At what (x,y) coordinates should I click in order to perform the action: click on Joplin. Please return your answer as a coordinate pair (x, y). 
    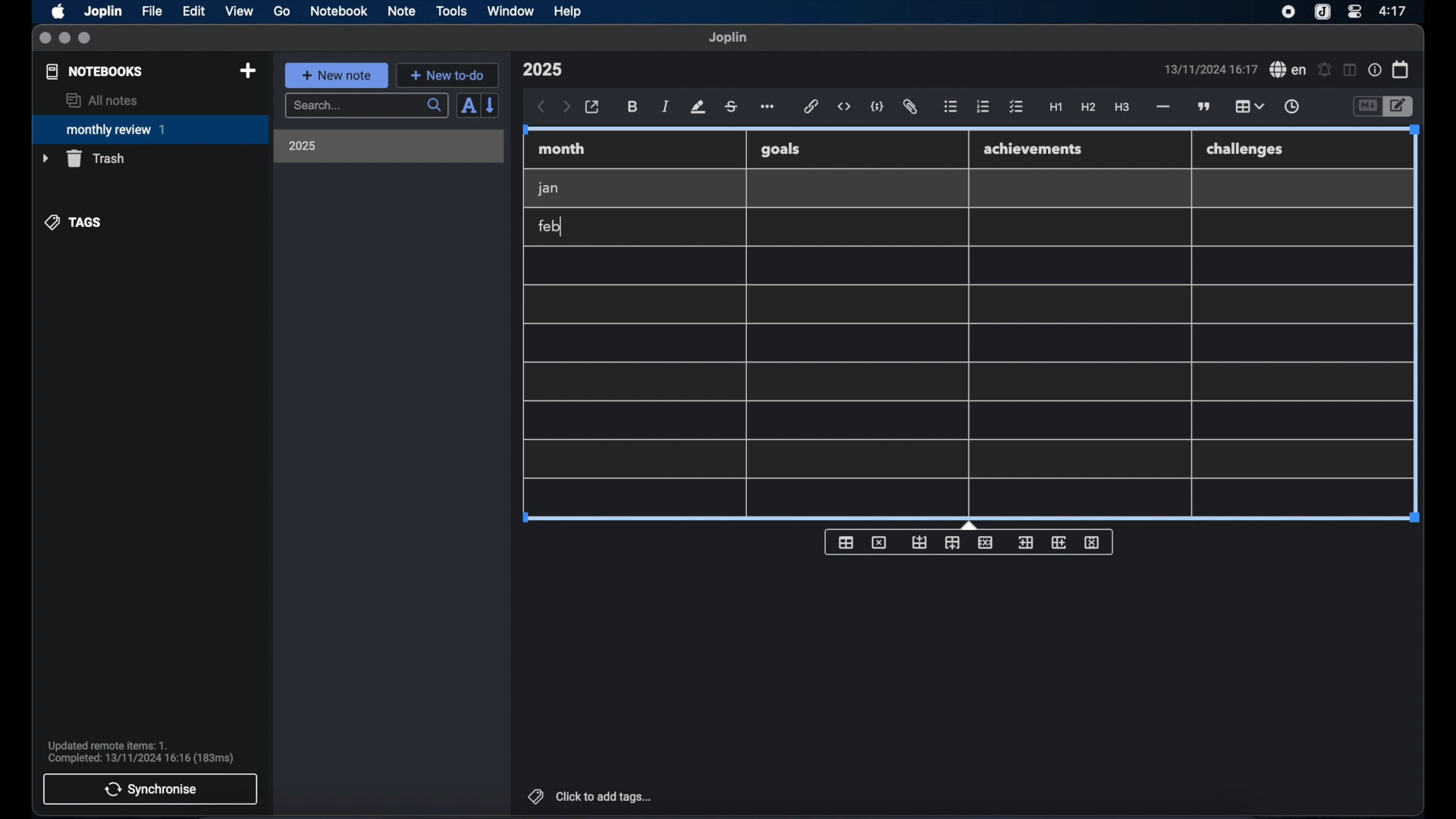
    Looking at the image, I should click on (105, 12).